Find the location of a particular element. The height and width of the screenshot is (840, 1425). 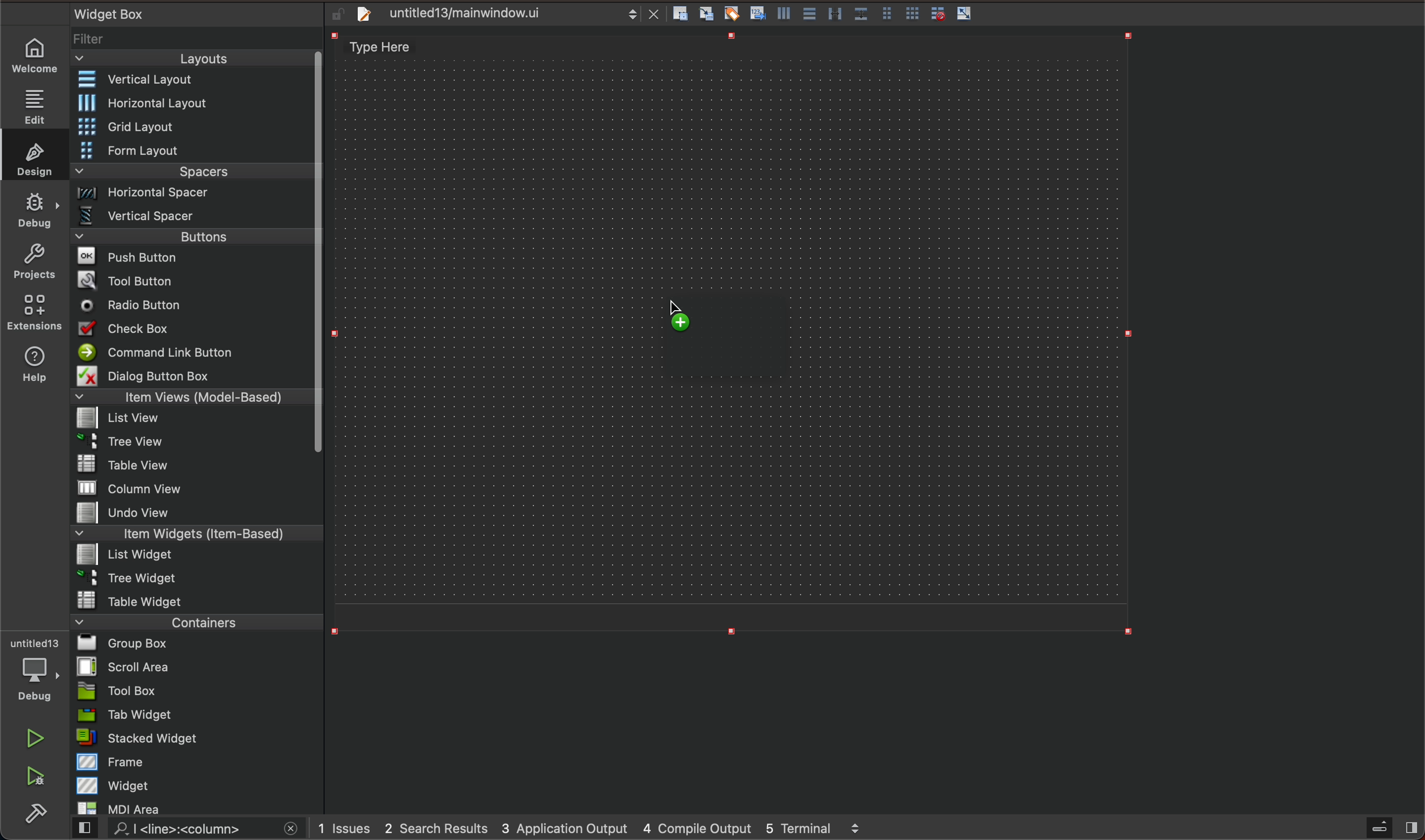

table view is located at coordinates (191, 465).